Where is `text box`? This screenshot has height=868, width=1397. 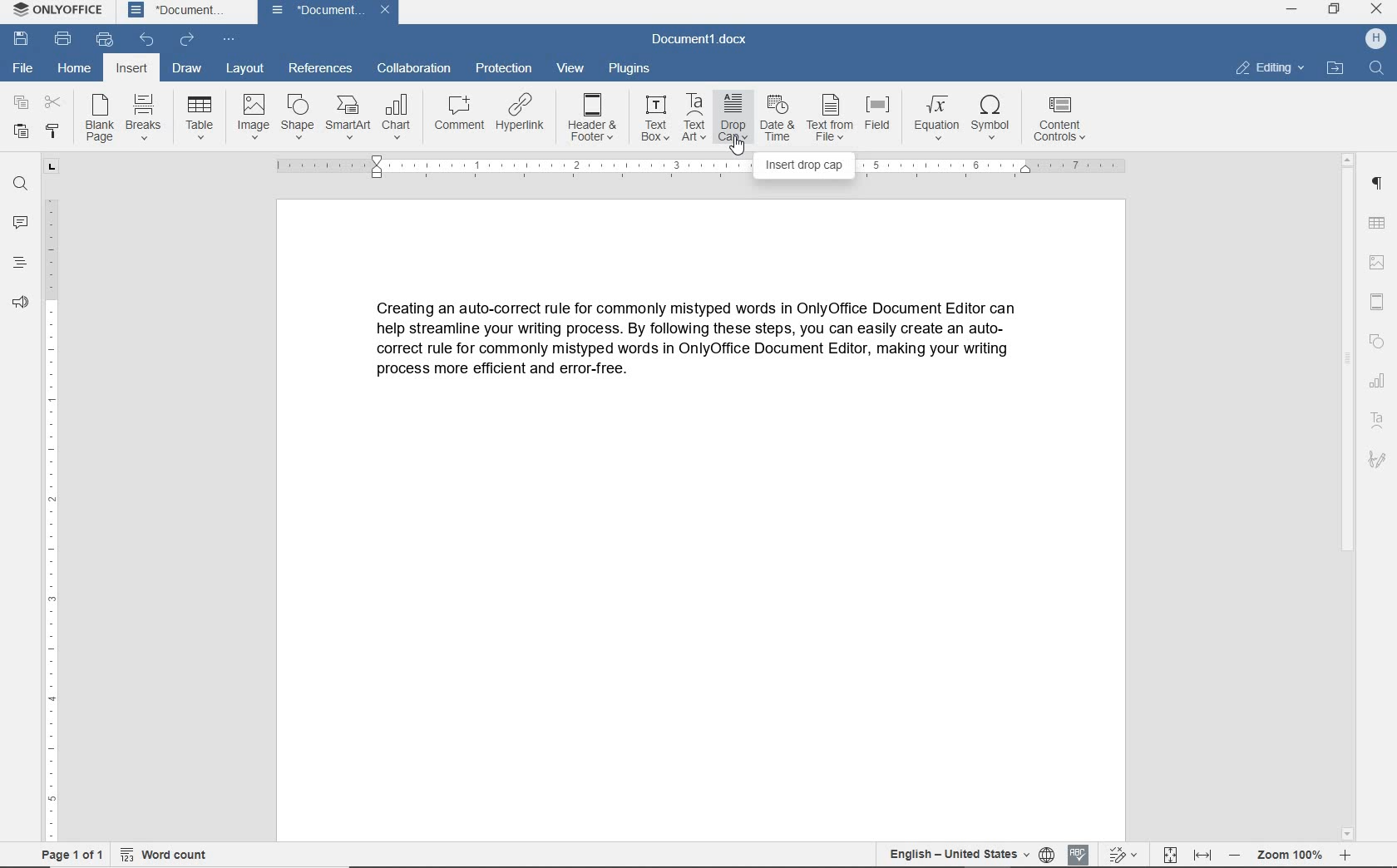
text box is located at coordinates (655, 118).